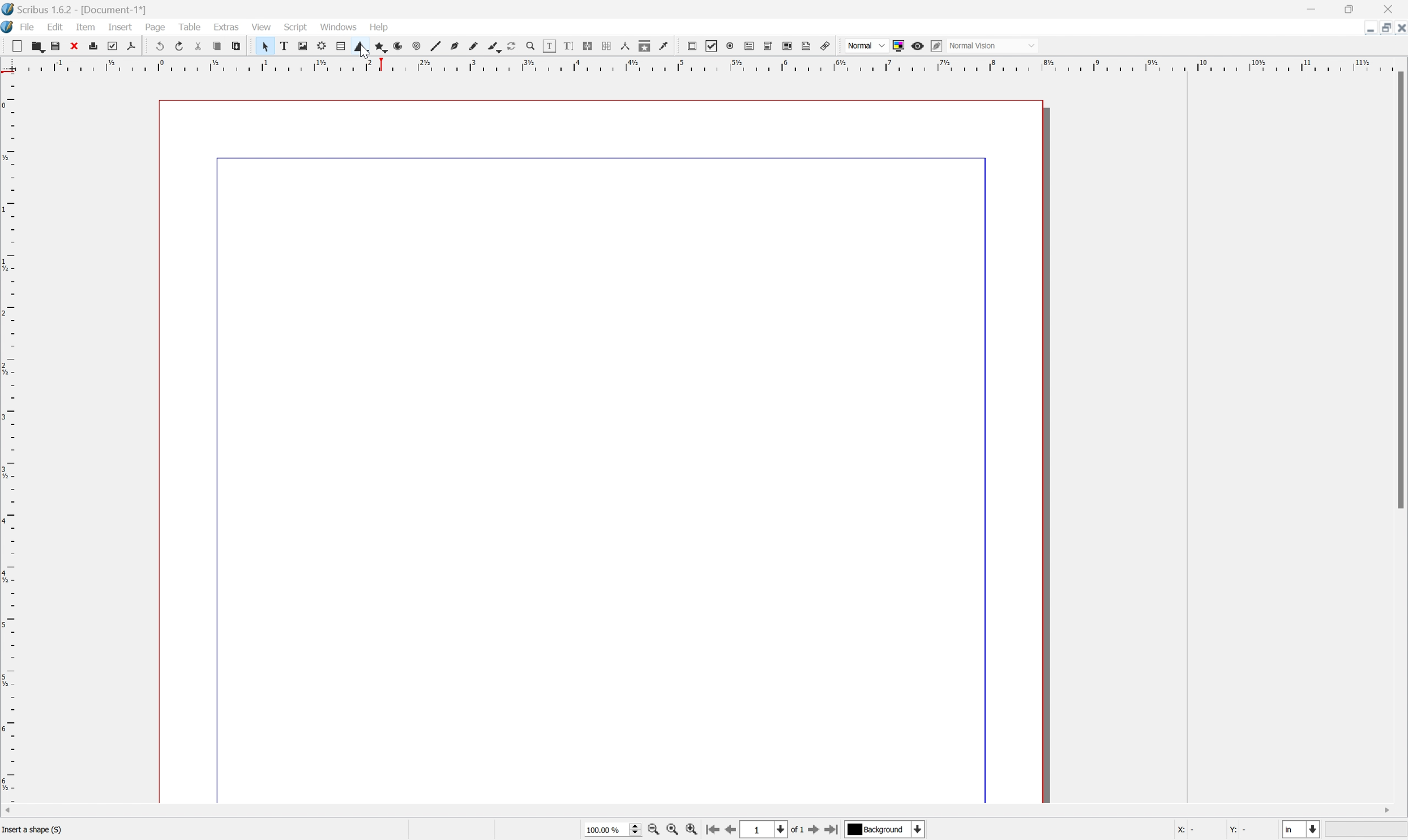 This screenshot has width=1408, height=840. Describe the element at coordinates (335, 47) in the screenshot. I see `Table` at that location.